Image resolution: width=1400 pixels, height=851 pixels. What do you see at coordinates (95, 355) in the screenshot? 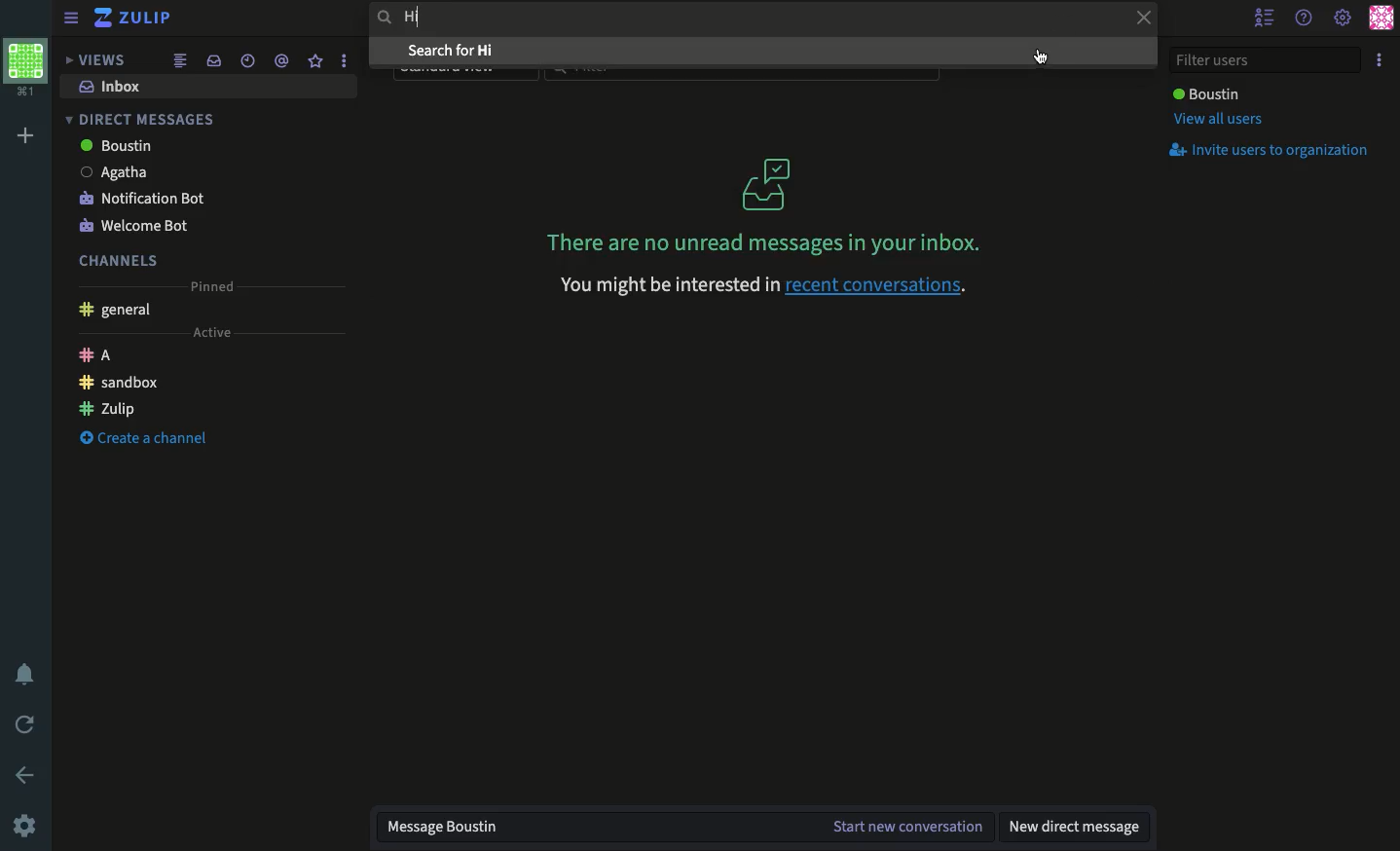
I see `A` at bounding box center [95, 355].